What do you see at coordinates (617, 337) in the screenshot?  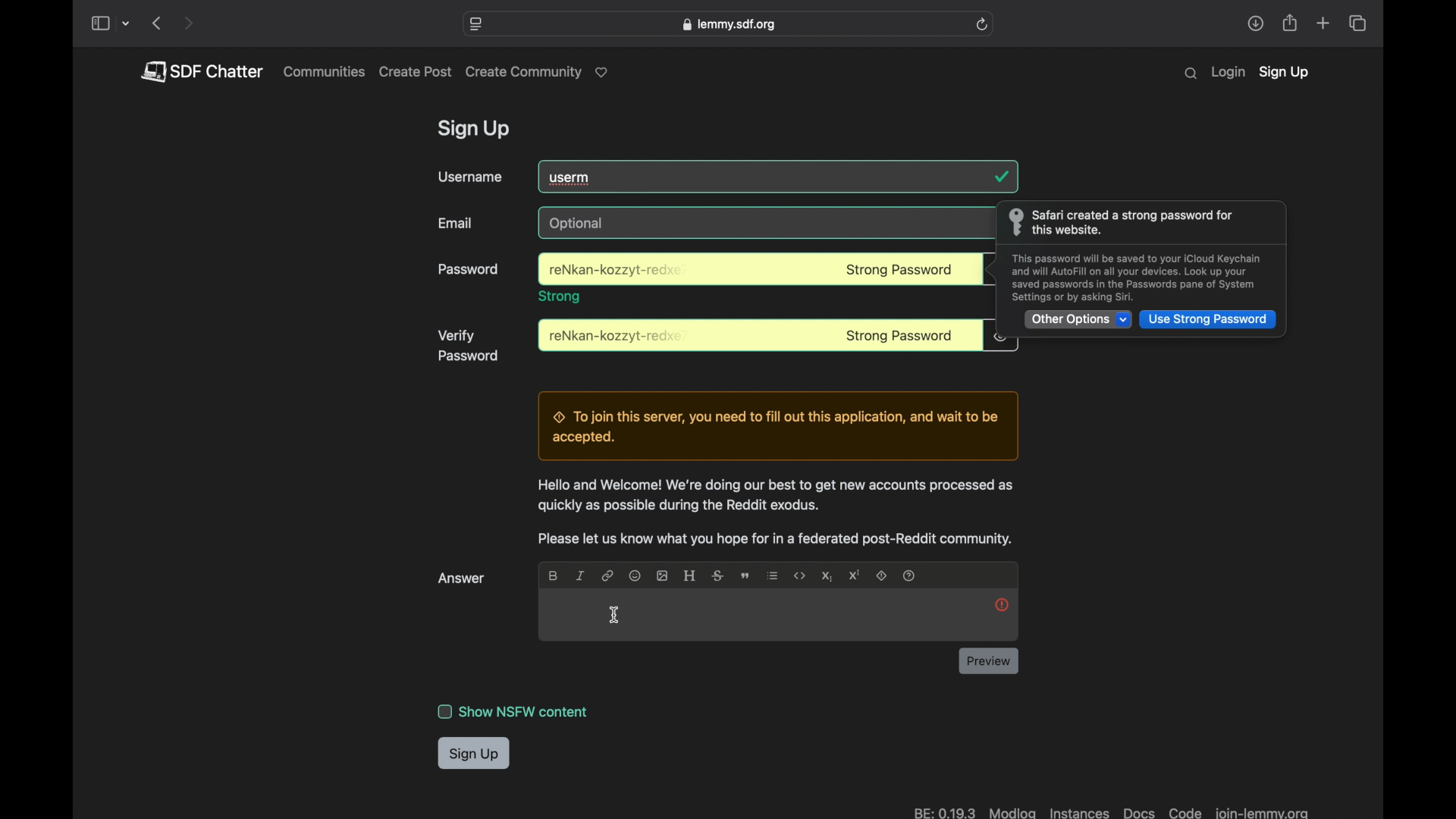 I see `password` at bounding box center [617, 337].